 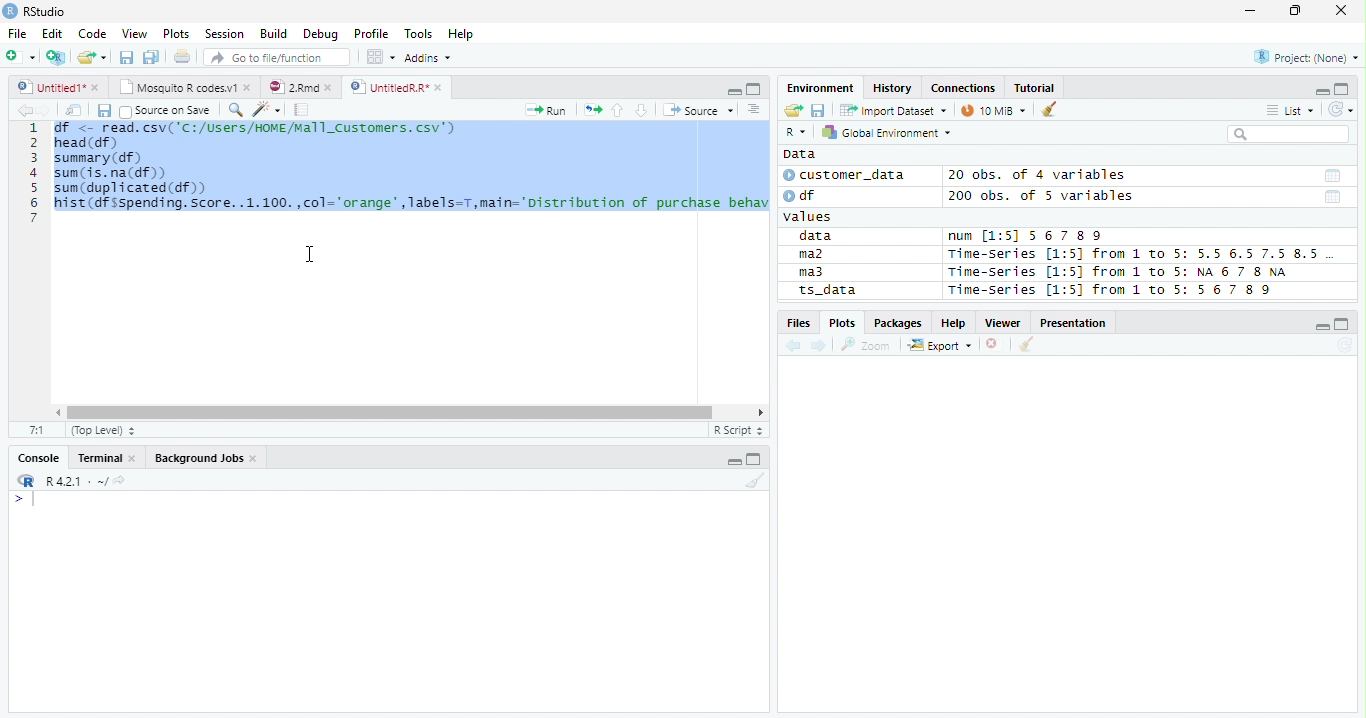 I want to click on Tools, so click(x=422, y=32).